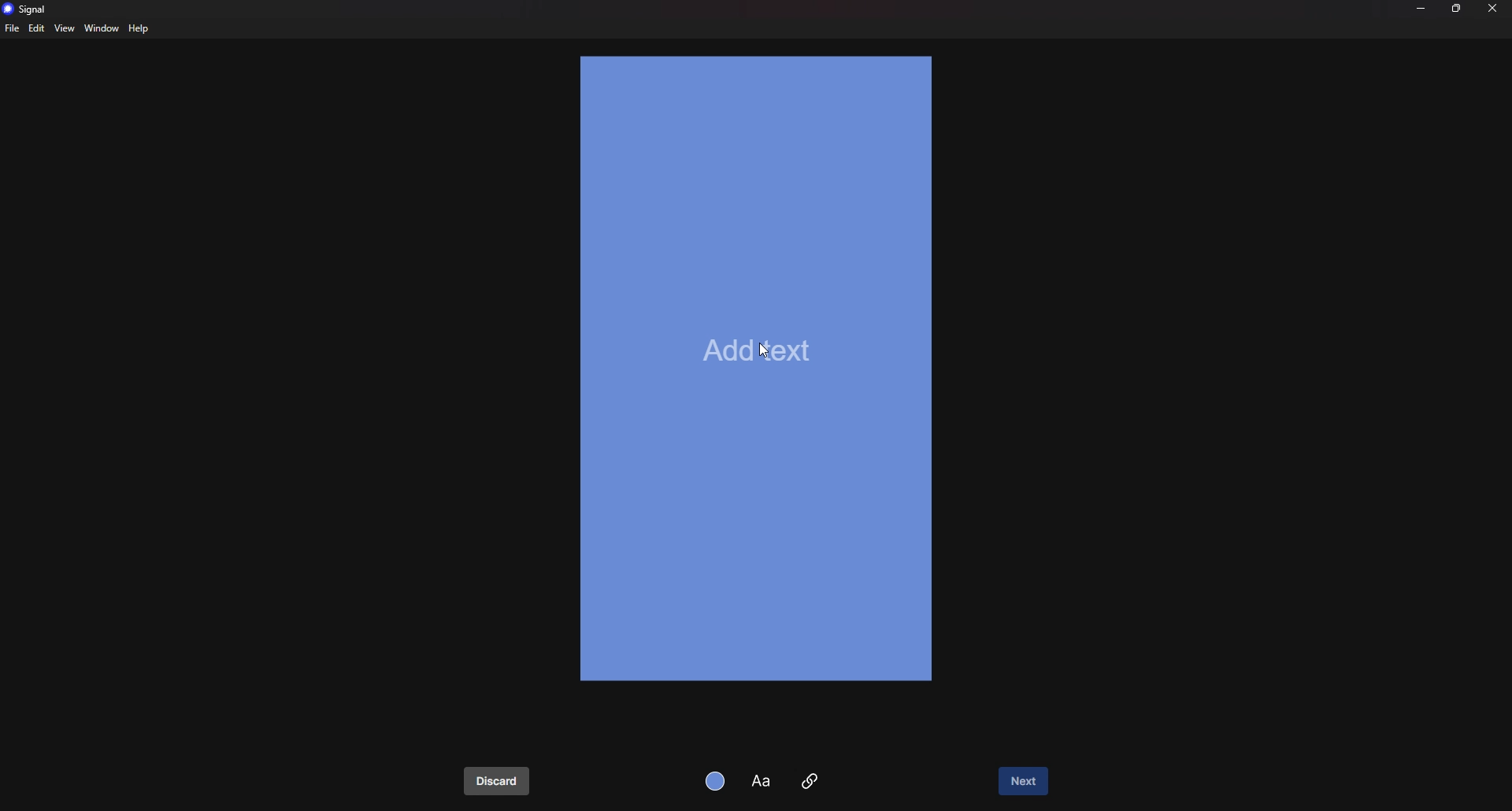 The height and width of the screenshot is (811, 1512). What do you see at coordinates (771, 352) in the screenshot?
I see `add text` at bounding box center [771, 352].